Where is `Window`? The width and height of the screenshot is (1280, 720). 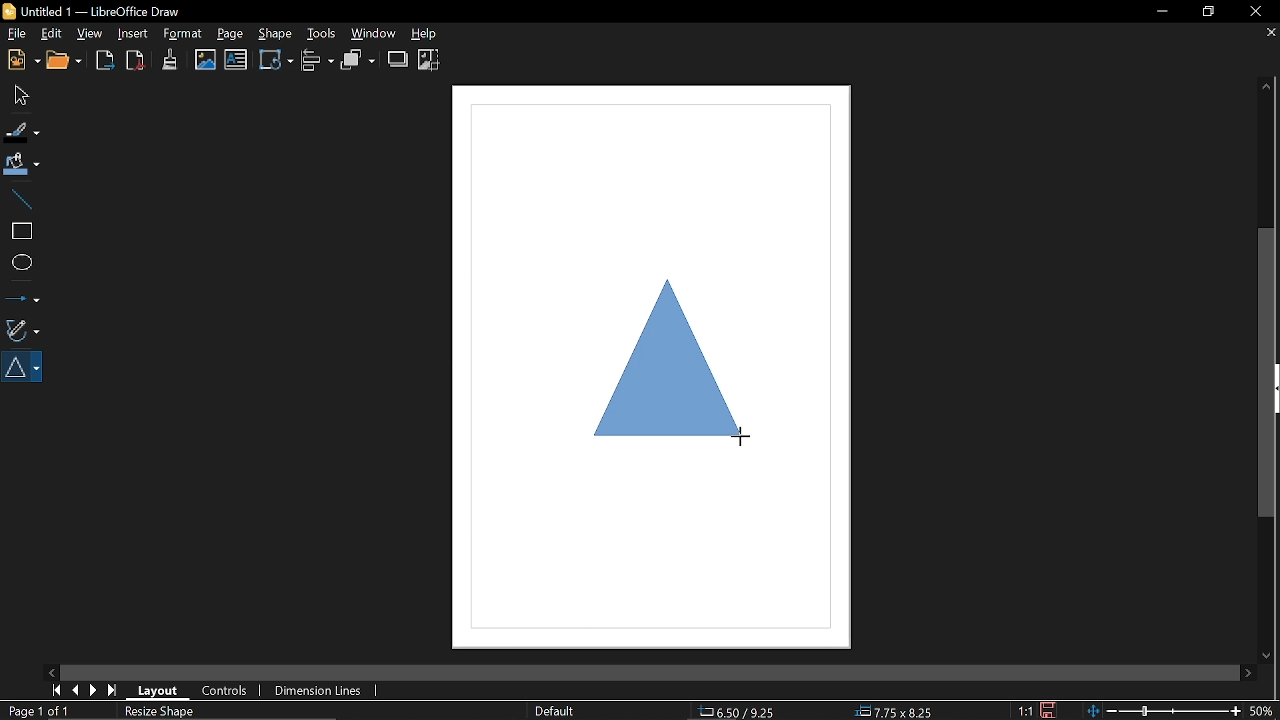
Window is located at coordinates (374, 33).